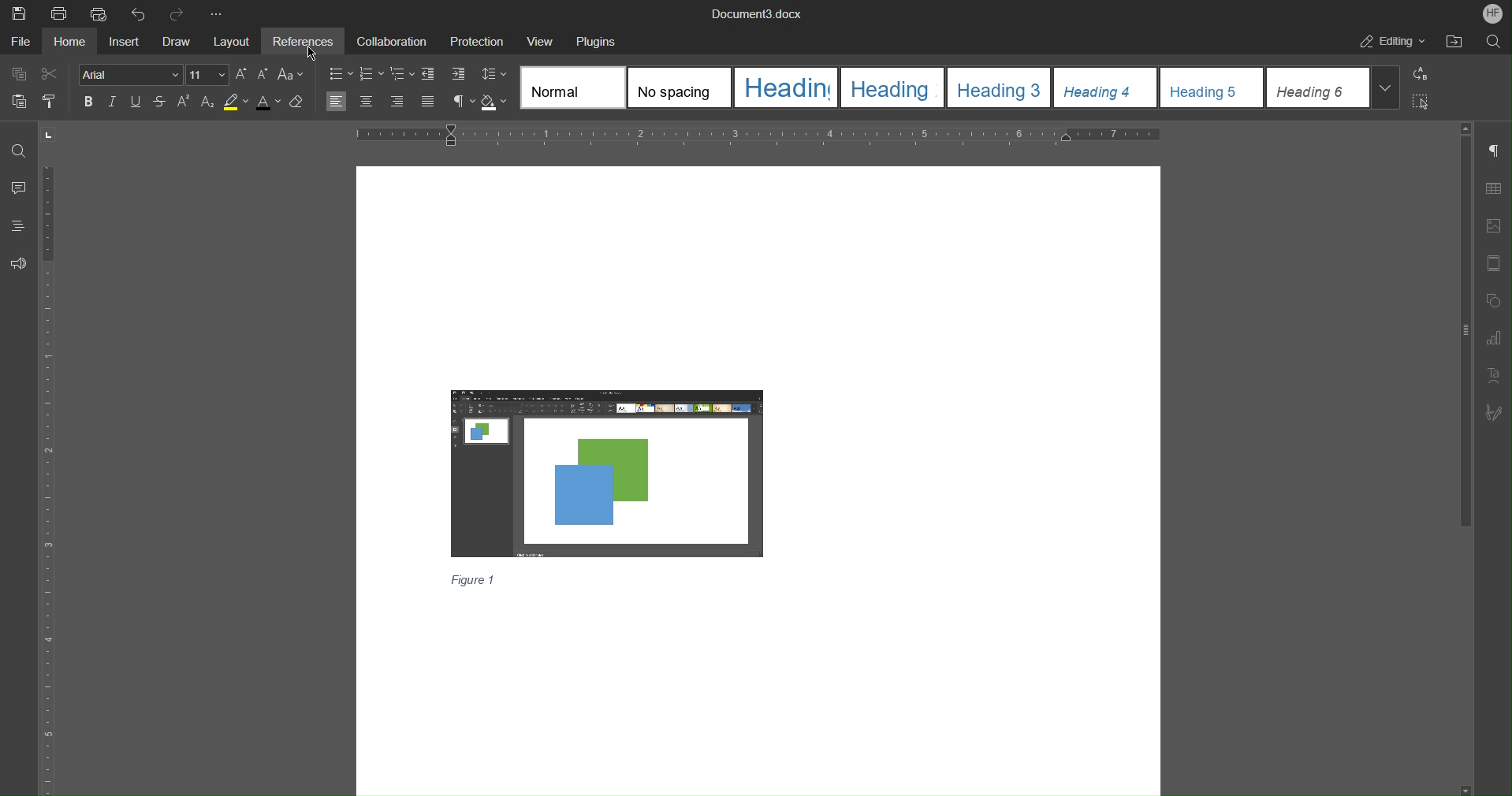  What do you see at coordinates (138, 13) in the screenshot?
I see `Undo` at bounding box center [138, 13].